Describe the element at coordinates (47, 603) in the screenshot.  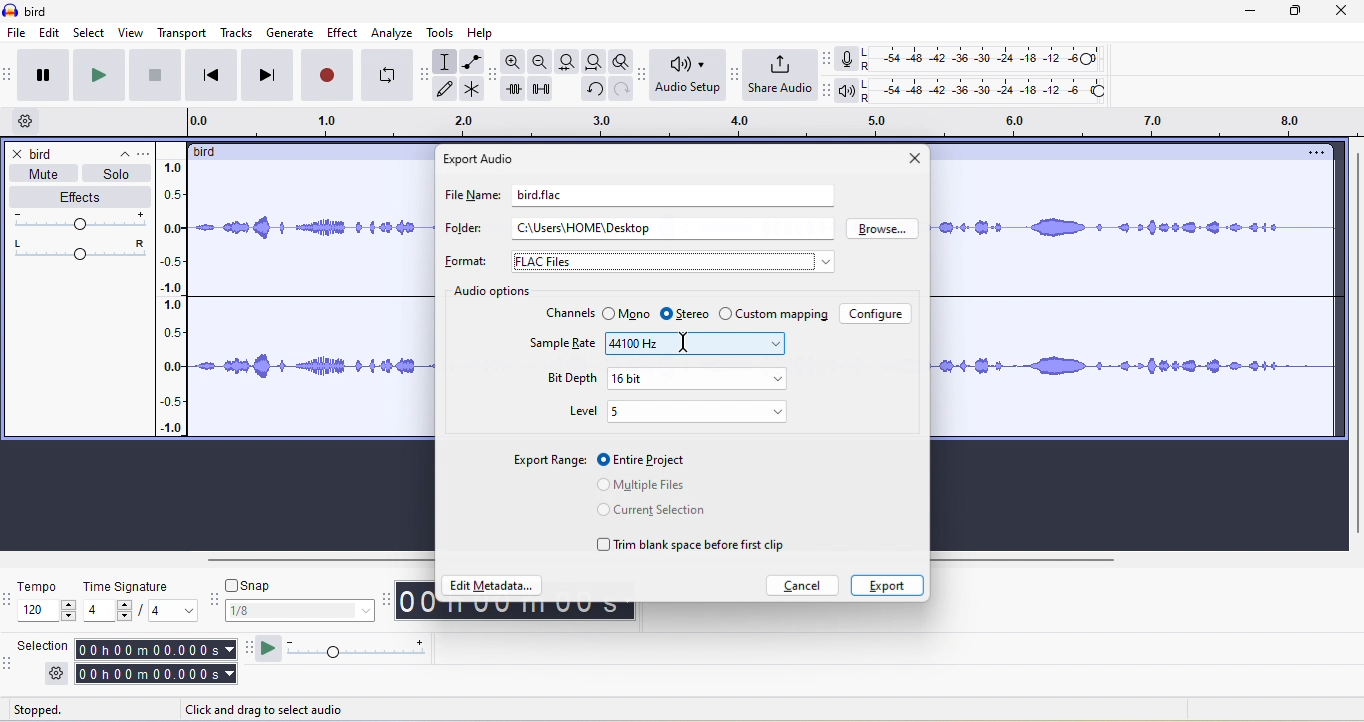
I see `tempo` at that location.